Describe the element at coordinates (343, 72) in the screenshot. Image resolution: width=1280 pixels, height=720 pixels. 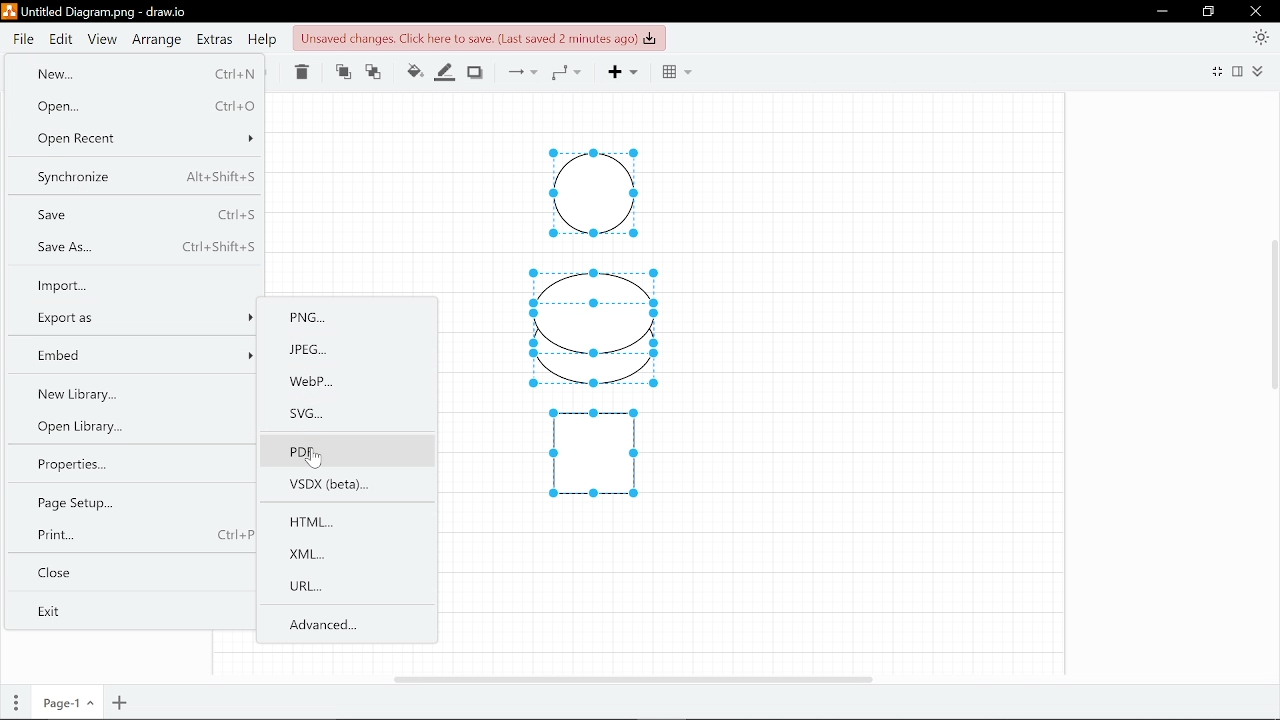
I see `Move front` at that location.